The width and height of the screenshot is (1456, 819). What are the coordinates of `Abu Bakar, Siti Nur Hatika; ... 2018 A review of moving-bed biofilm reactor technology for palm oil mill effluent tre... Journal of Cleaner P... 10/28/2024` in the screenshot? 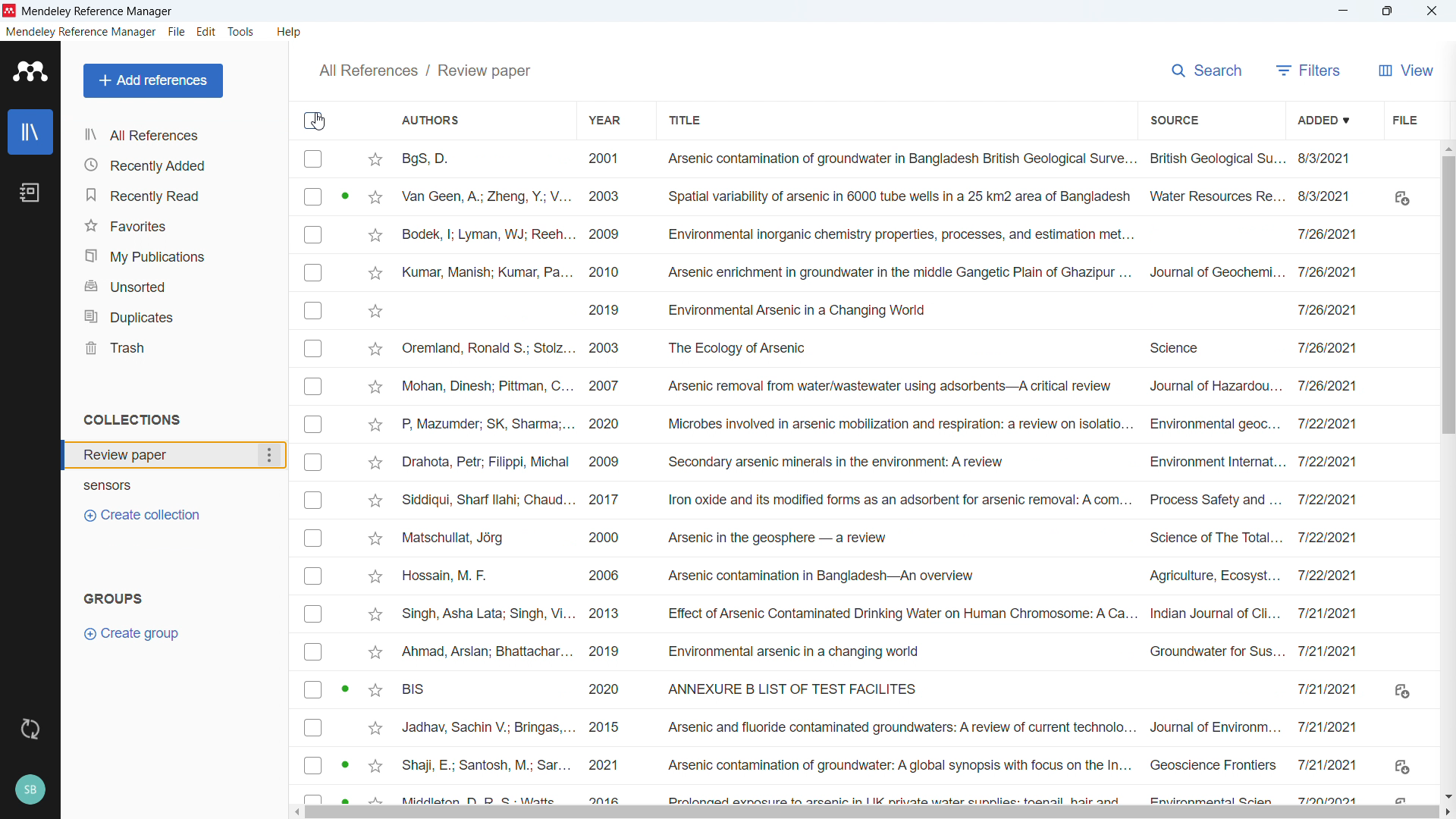 It's located at (883, 537).